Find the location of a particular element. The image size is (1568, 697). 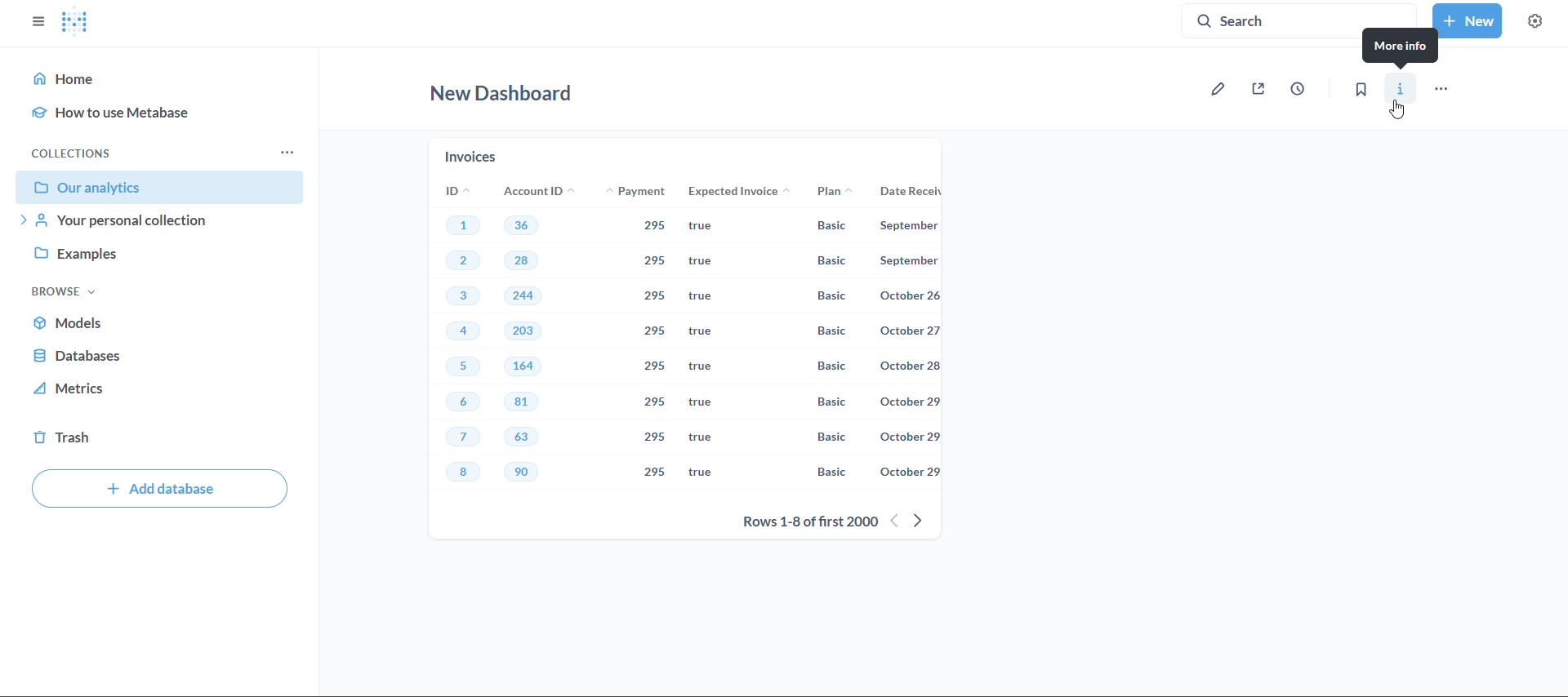

295 is located at coordinates (657, 402).